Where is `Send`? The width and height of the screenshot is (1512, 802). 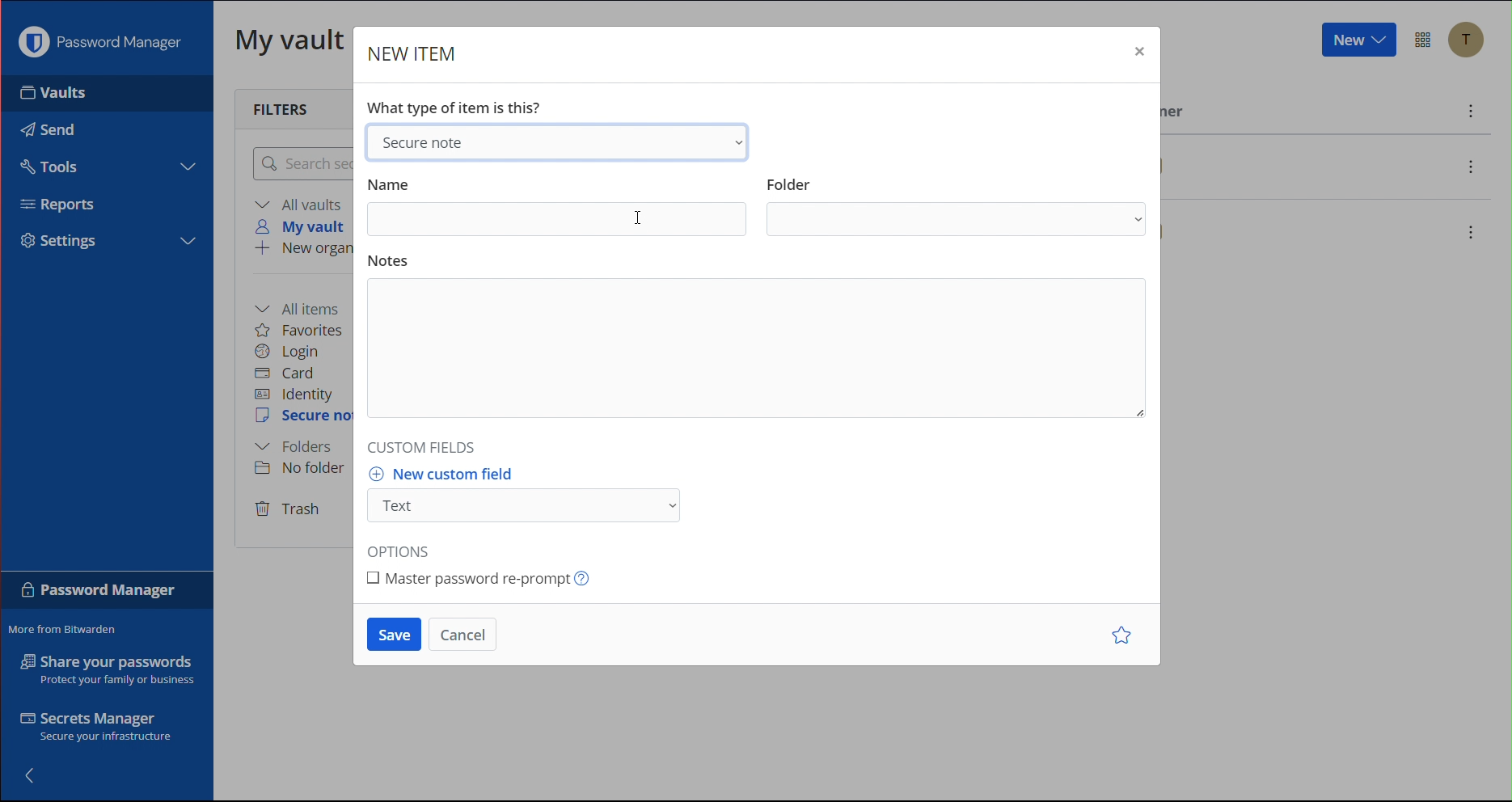 Send is located at coordinates (48, 129).